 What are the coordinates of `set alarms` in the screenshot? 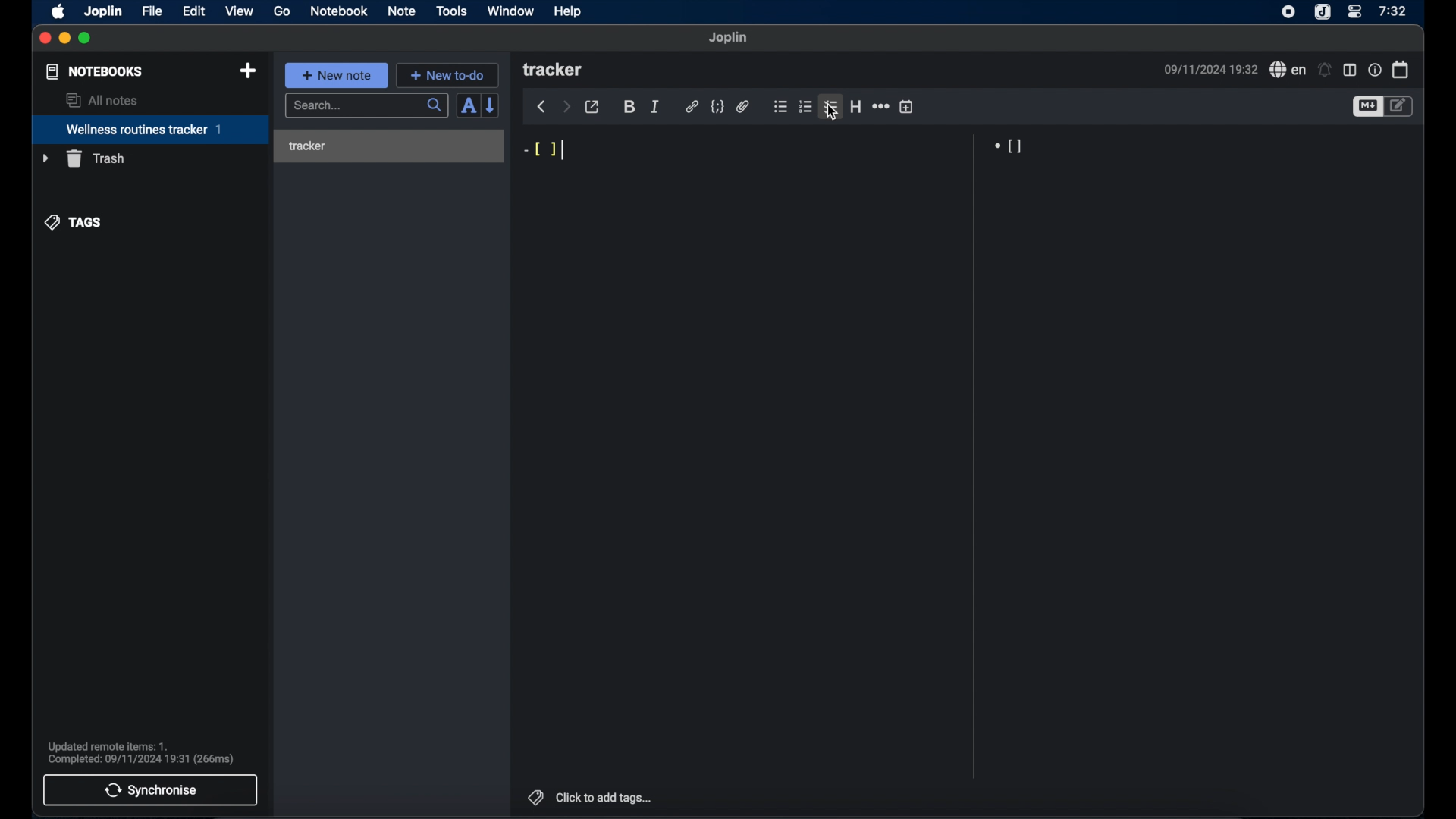 It's located at (1325, 70).